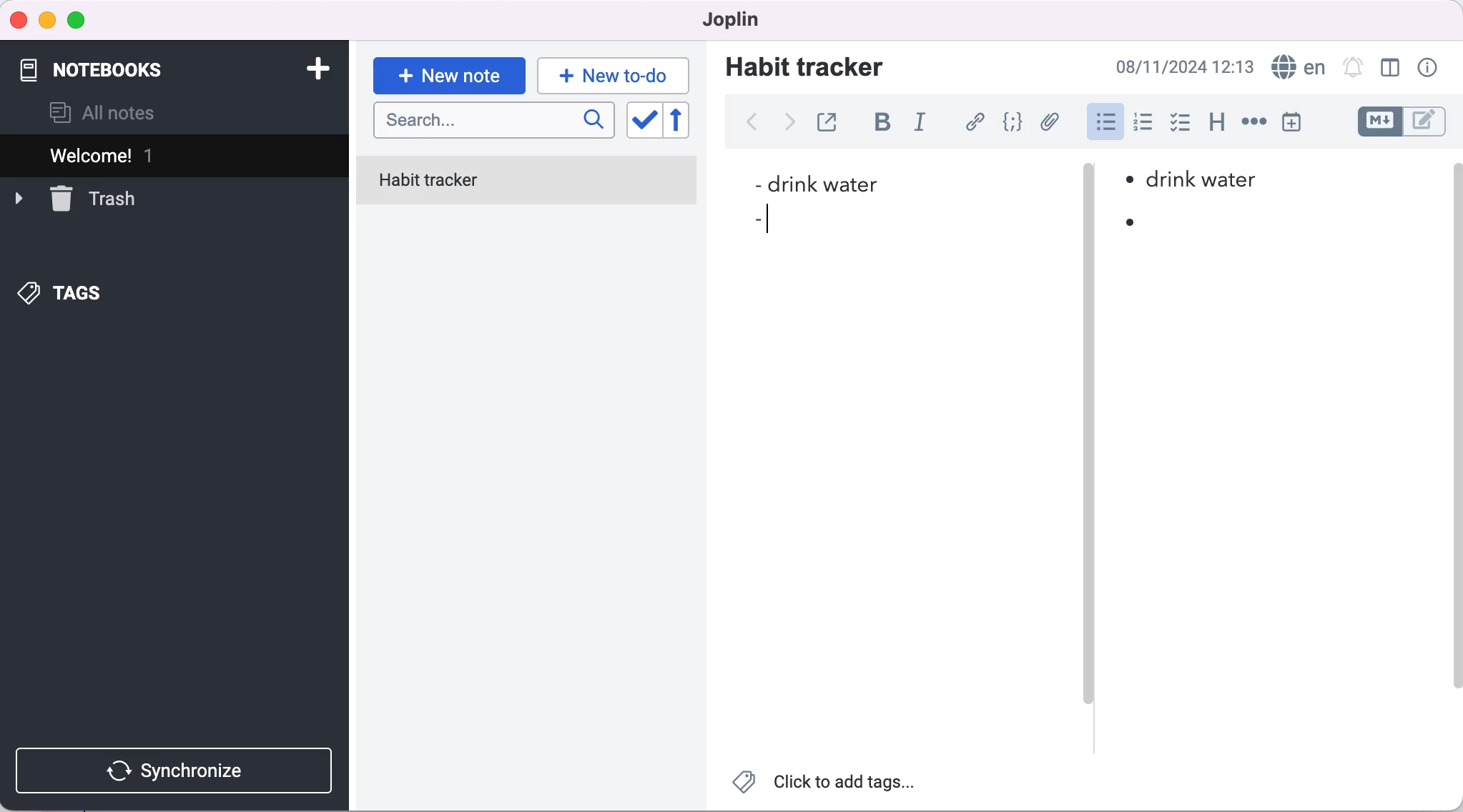  What do you see at coordinates (686, 121) in the screenshot?
I see `reverse sort order` at bounding box center [686, 121].